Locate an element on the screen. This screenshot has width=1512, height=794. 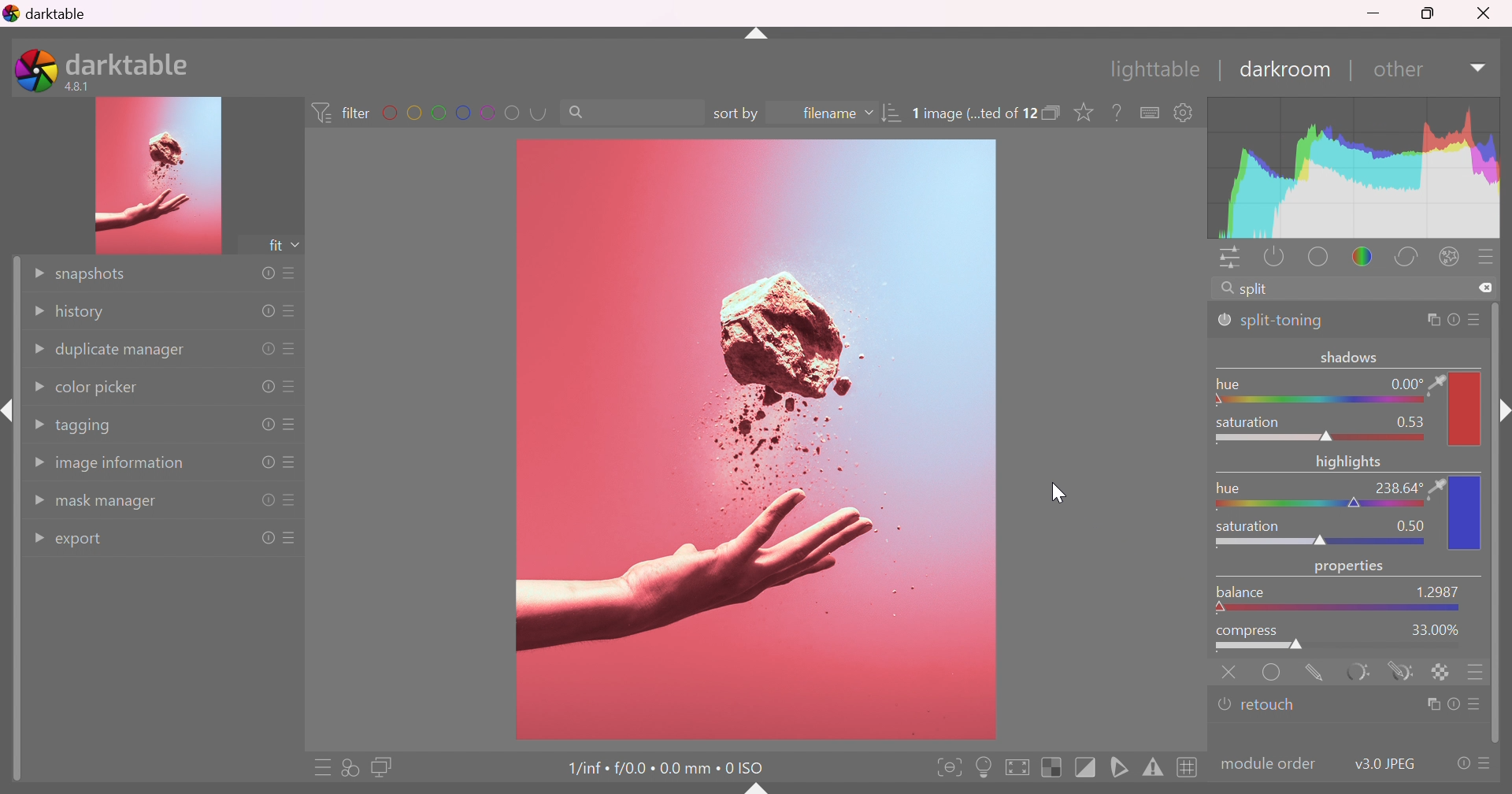
shadows is located at coordinates (1352, 358).